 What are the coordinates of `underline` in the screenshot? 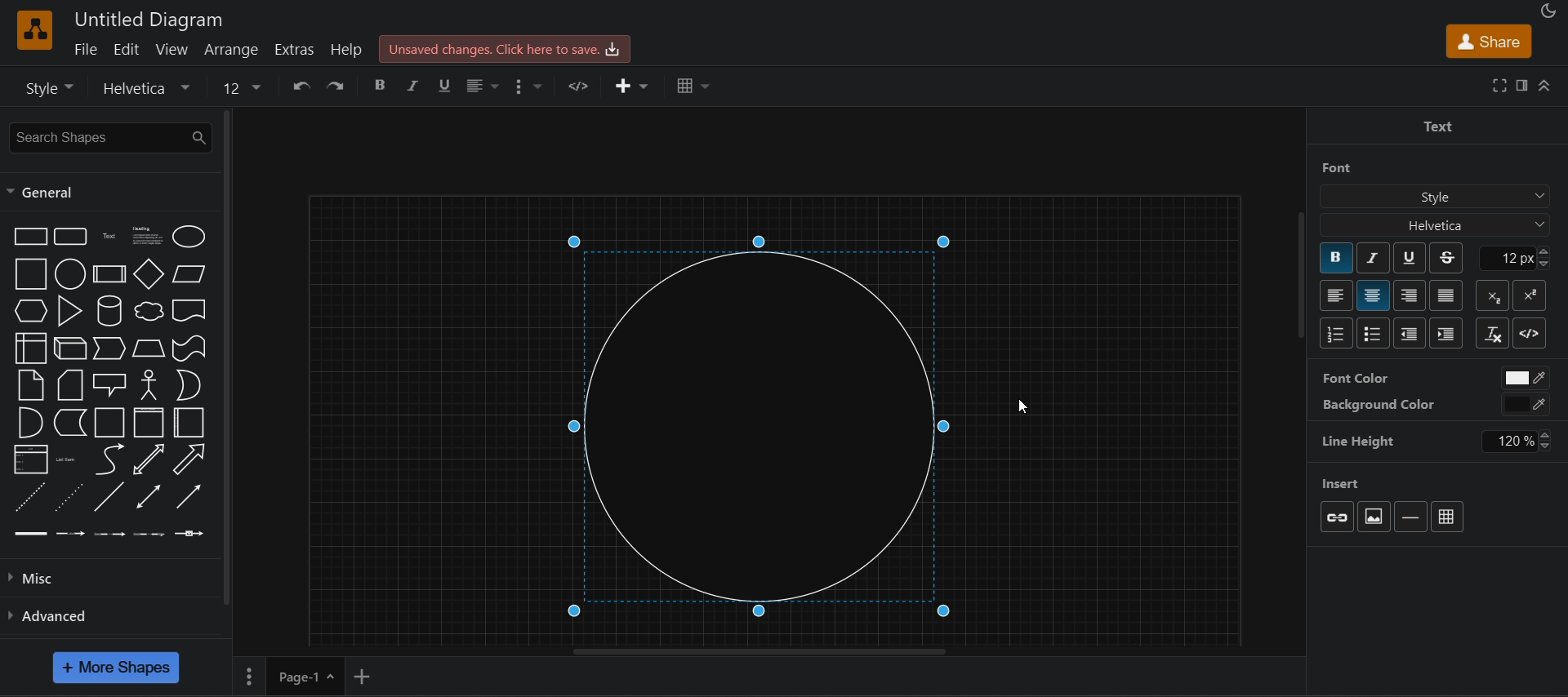 It's located at (446, 86).